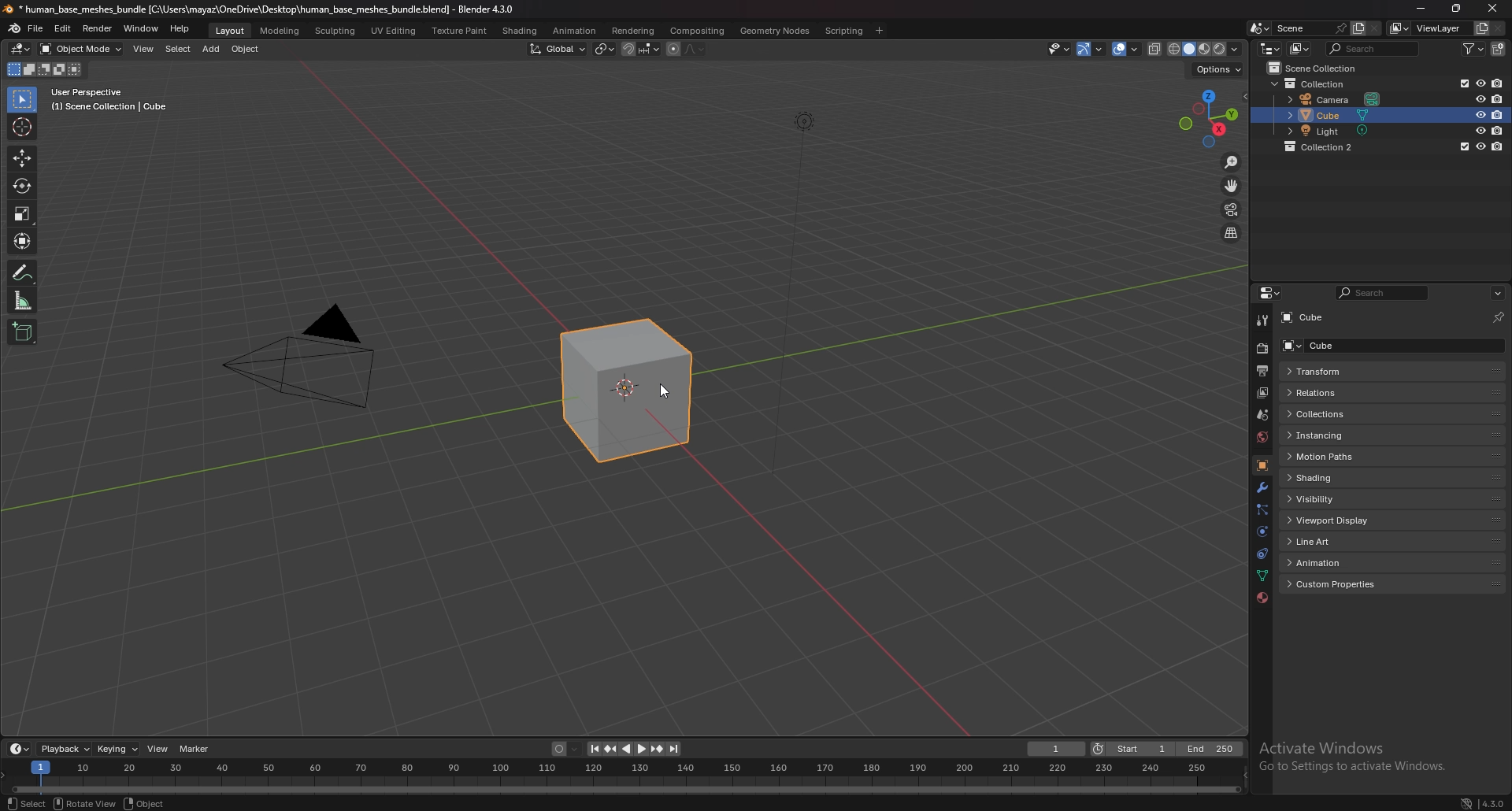 The height and width of the screenshot is (811, 1512). I want to click on proportional editing objects, so click(687, 50).